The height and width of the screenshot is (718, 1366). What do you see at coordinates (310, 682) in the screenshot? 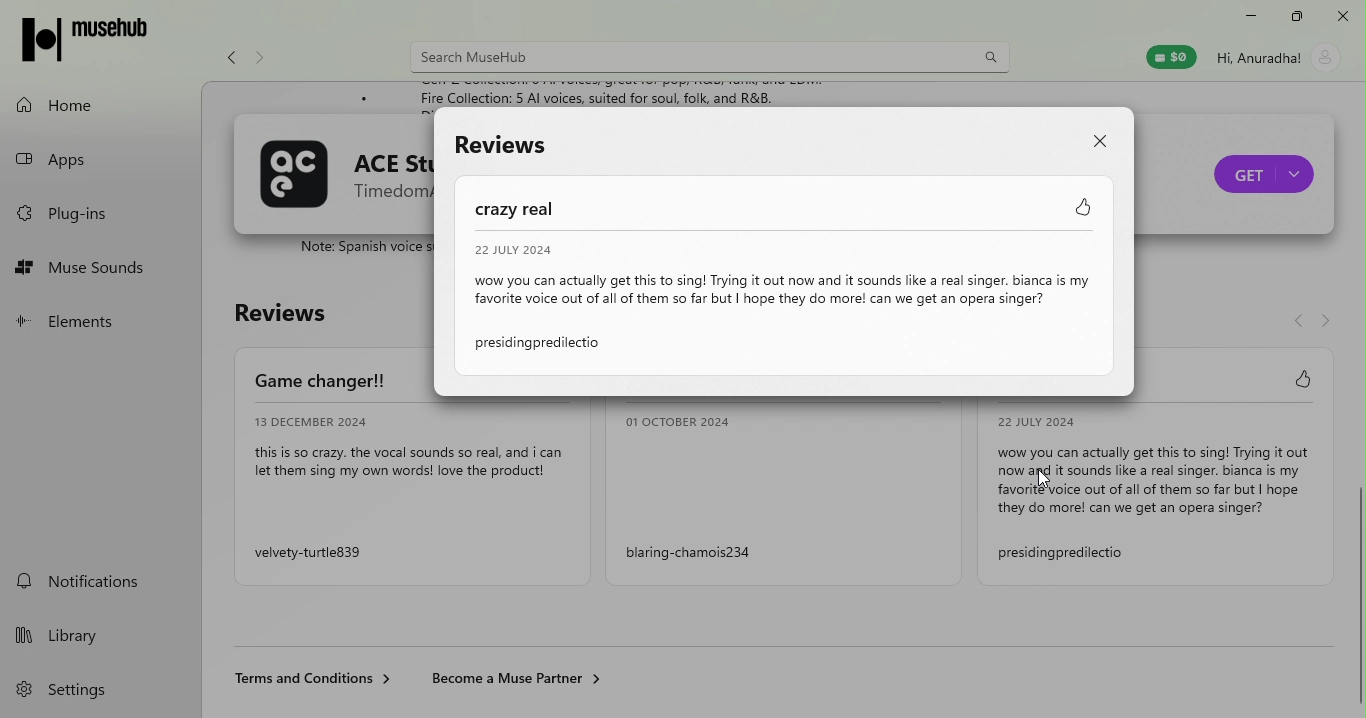
I see `Terms and condition` at bounding box center [310, 682].